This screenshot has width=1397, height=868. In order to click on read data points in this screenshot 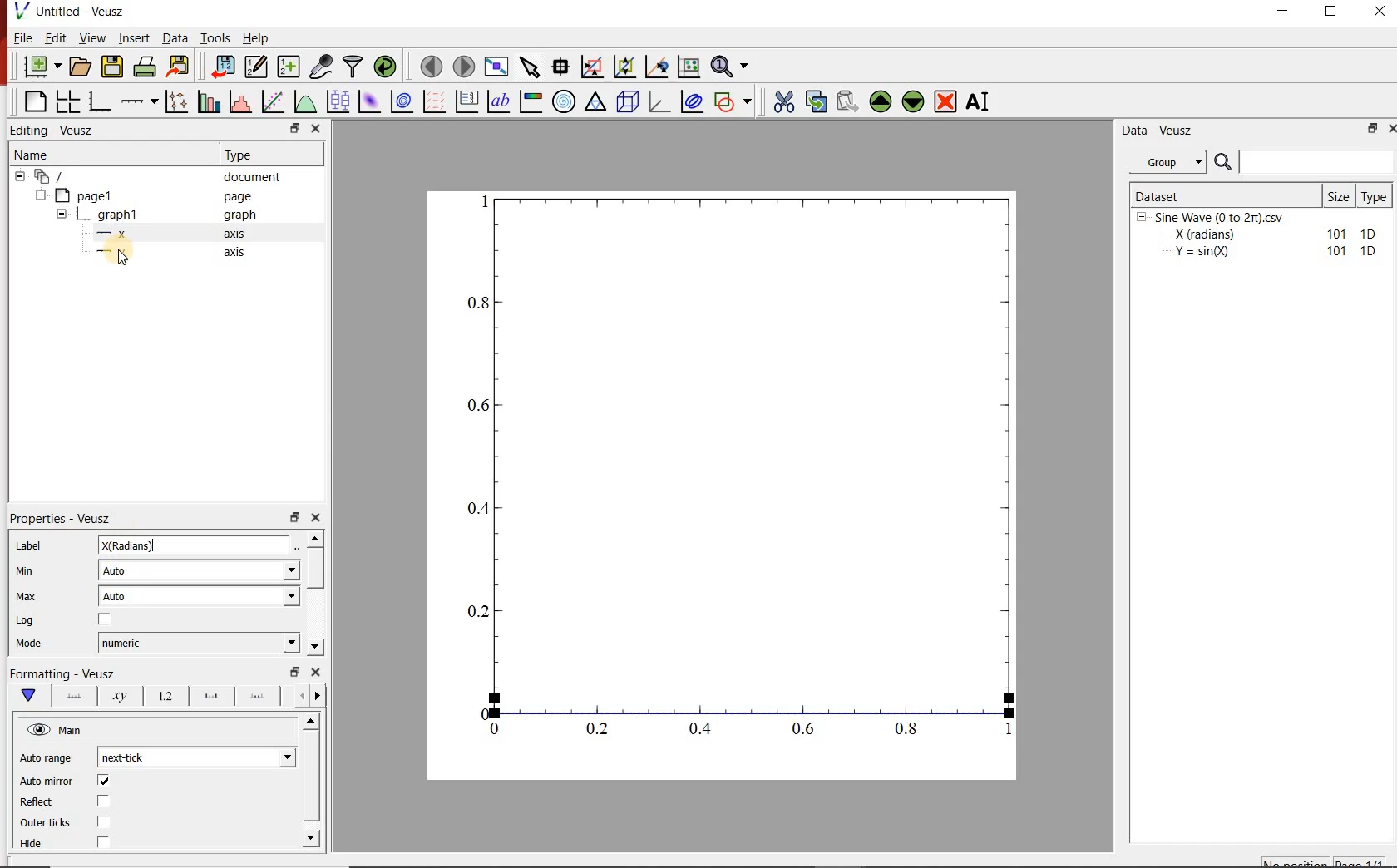, I will do `click(560, 65)`.